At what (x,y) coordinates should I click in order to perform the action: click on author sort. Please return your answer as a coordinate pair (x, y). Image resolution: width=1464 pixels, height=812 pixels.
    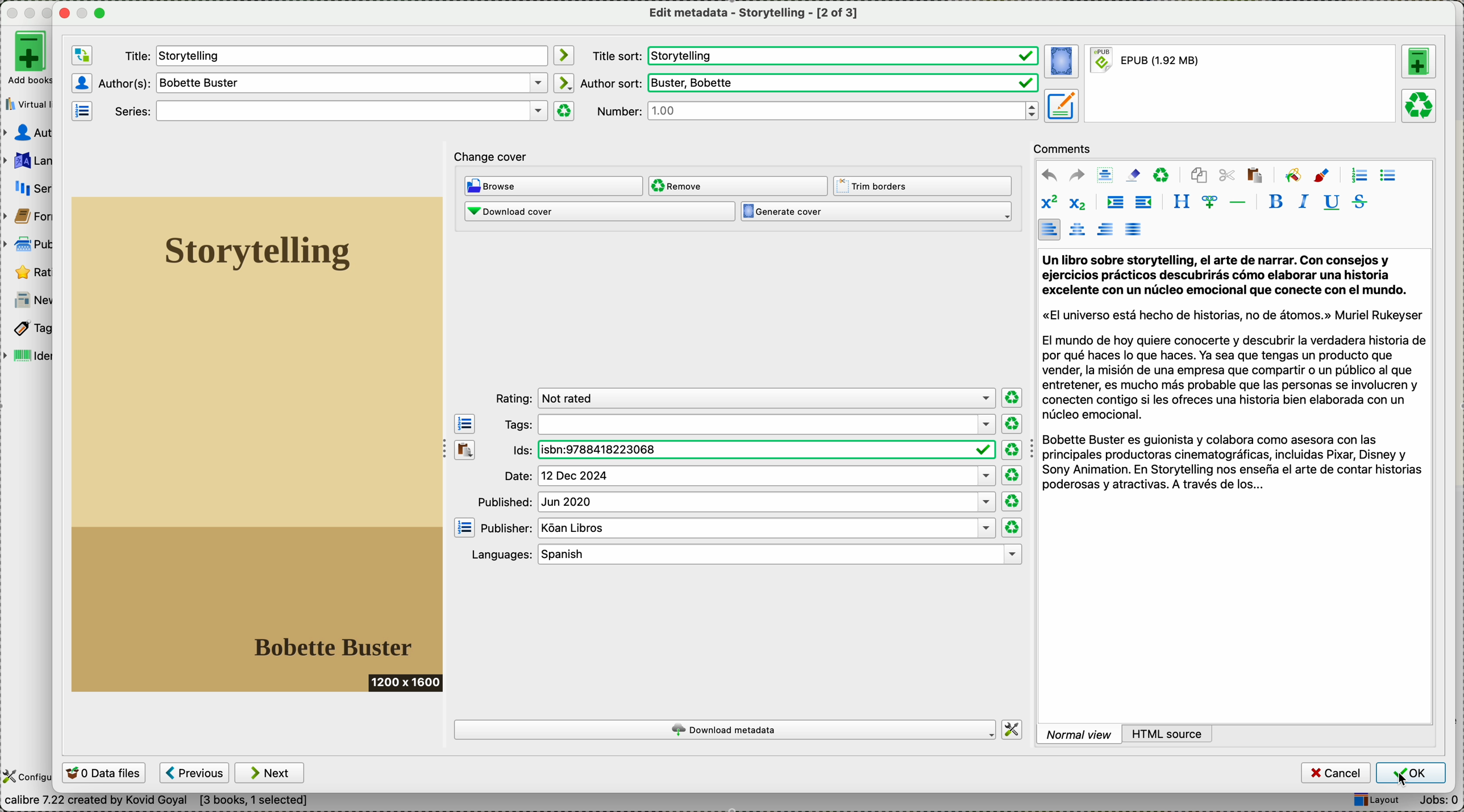
    Looking at the image, I should click on (810, 83).